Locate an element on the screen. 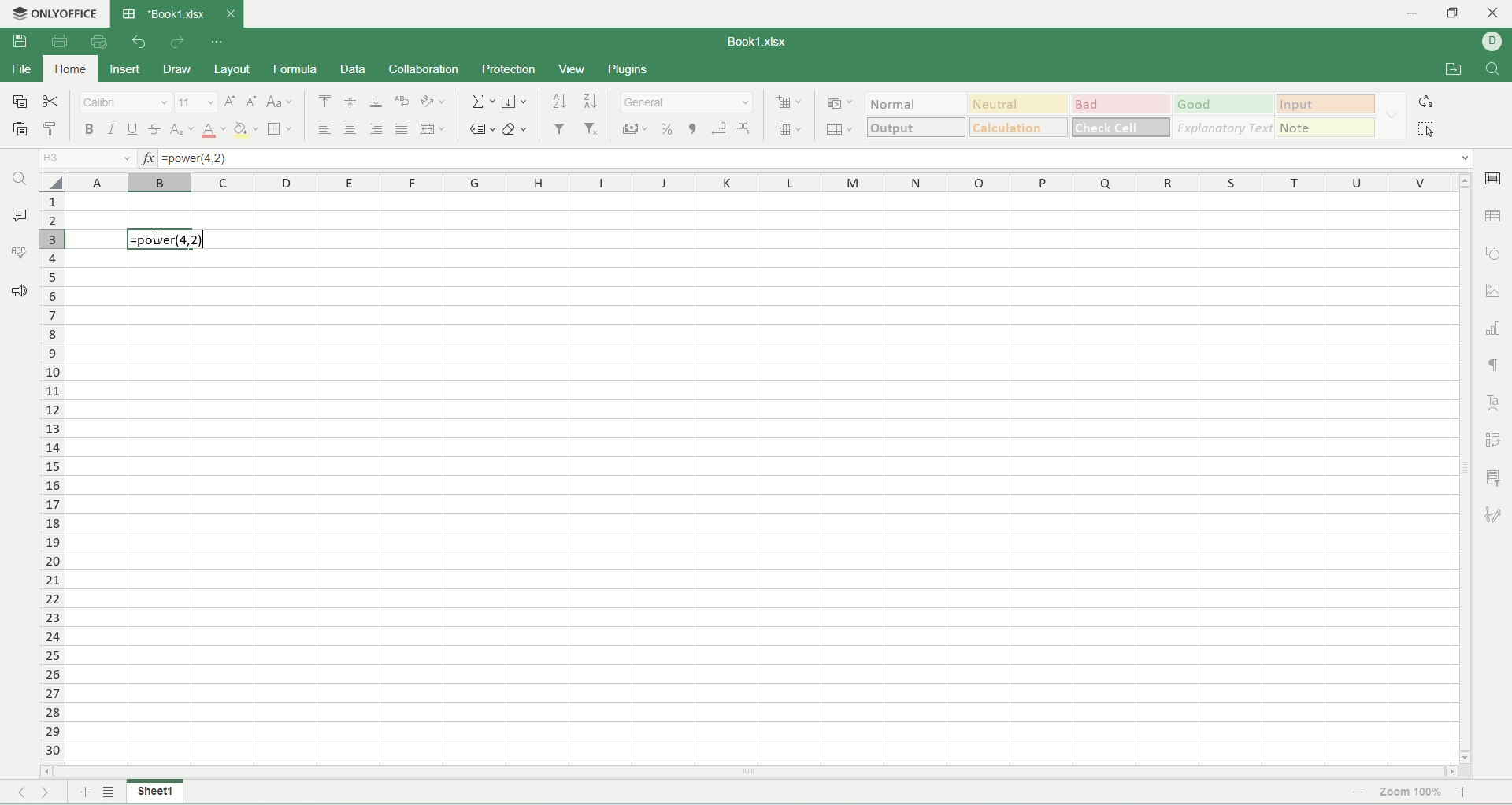 The height and width of the screenshot is (805, 1512). format as table template is located at coordinates (843, 129).